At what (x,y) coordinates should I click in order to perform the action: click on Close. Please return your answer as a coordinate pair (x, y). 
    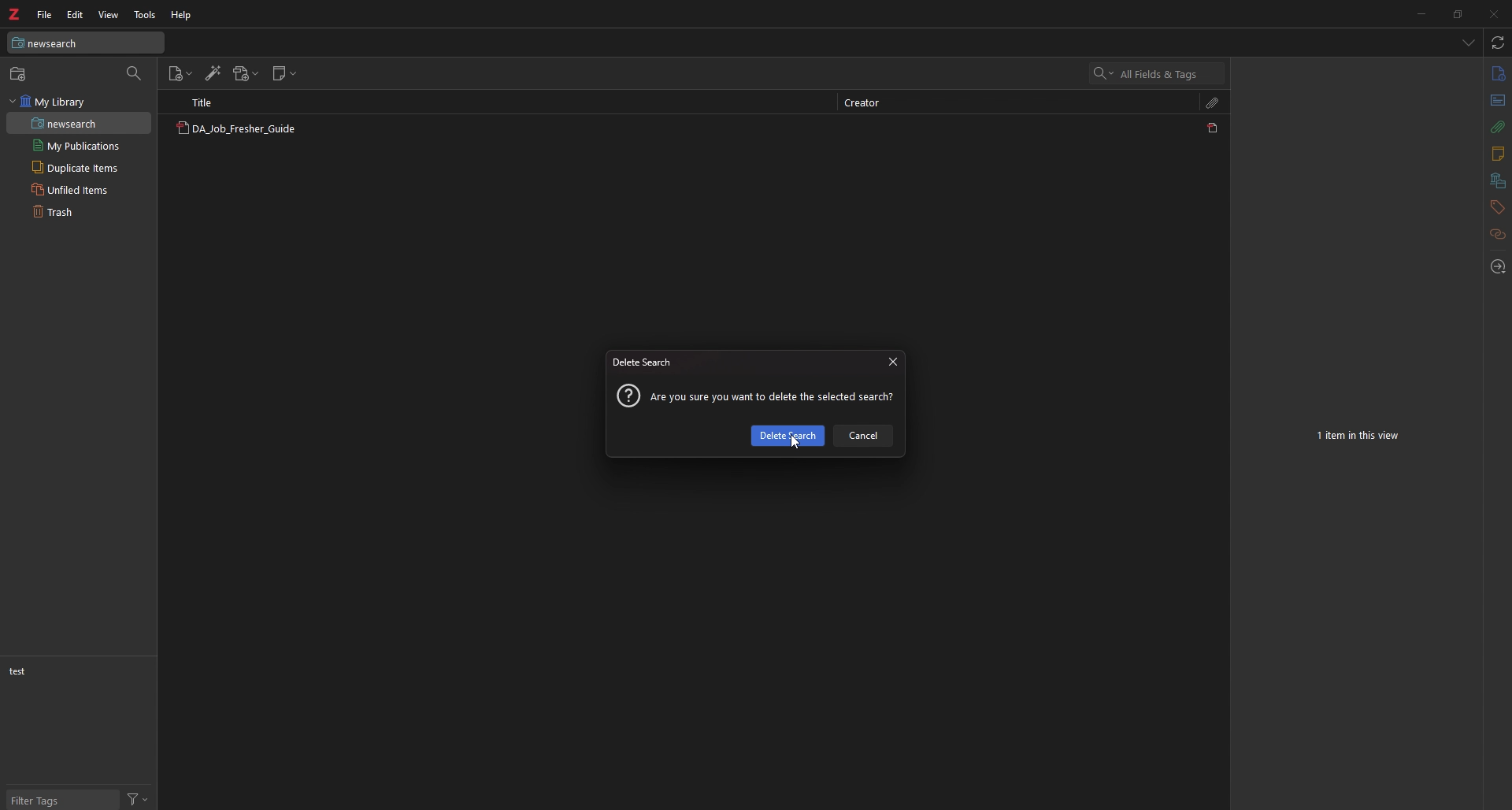
    Looking at the image, I should click on (1495, 13).